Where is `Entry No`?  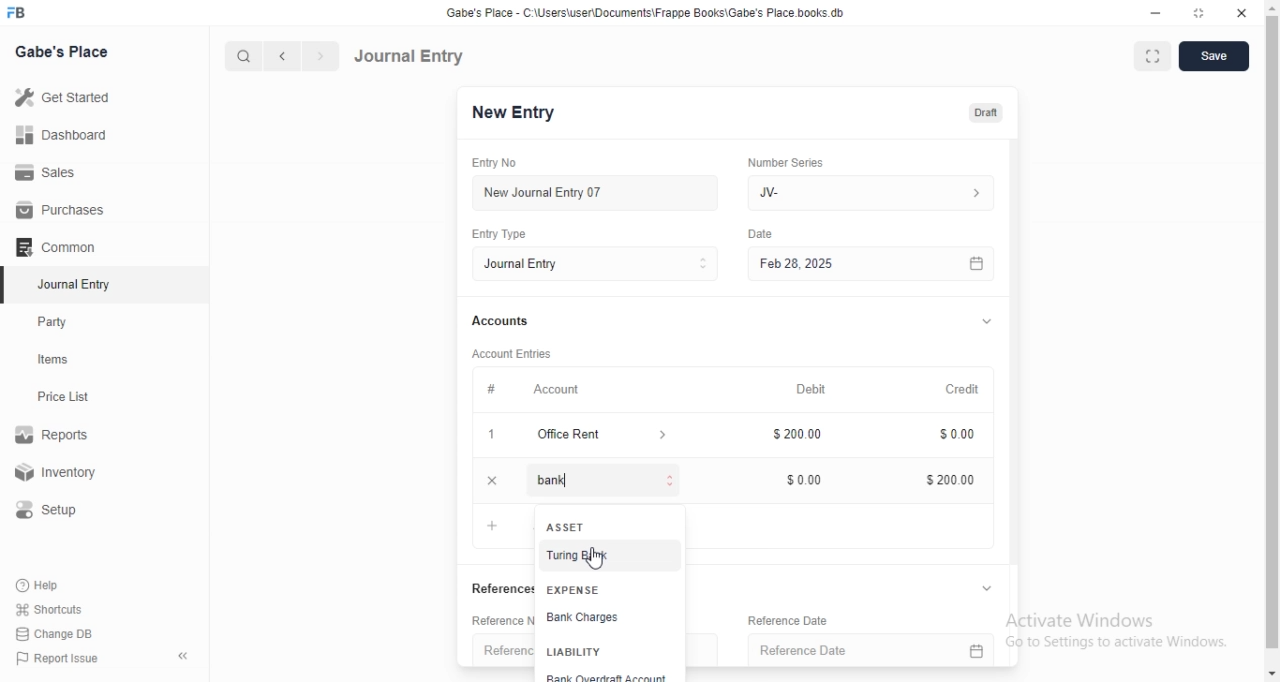 Entry No is located at coordinates (506, 163).